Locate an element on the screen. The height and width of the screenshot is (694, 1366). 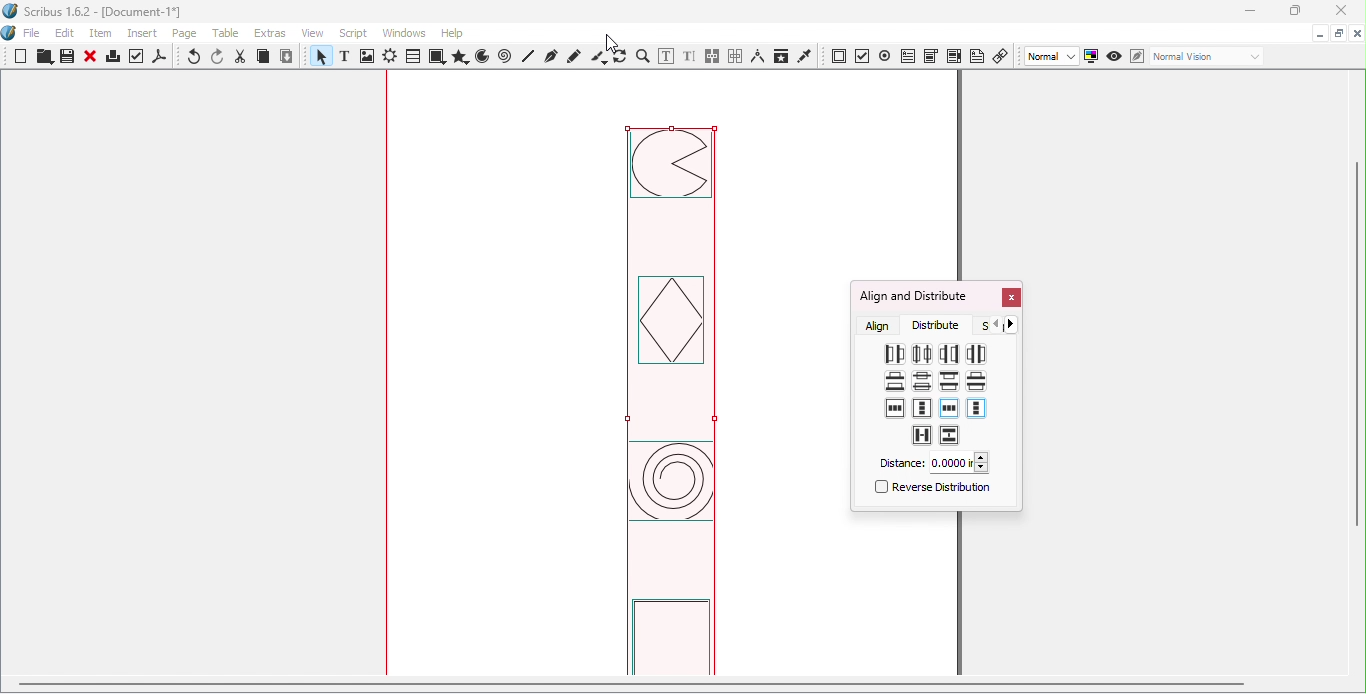
Distance is located at coordinates (932, 463).